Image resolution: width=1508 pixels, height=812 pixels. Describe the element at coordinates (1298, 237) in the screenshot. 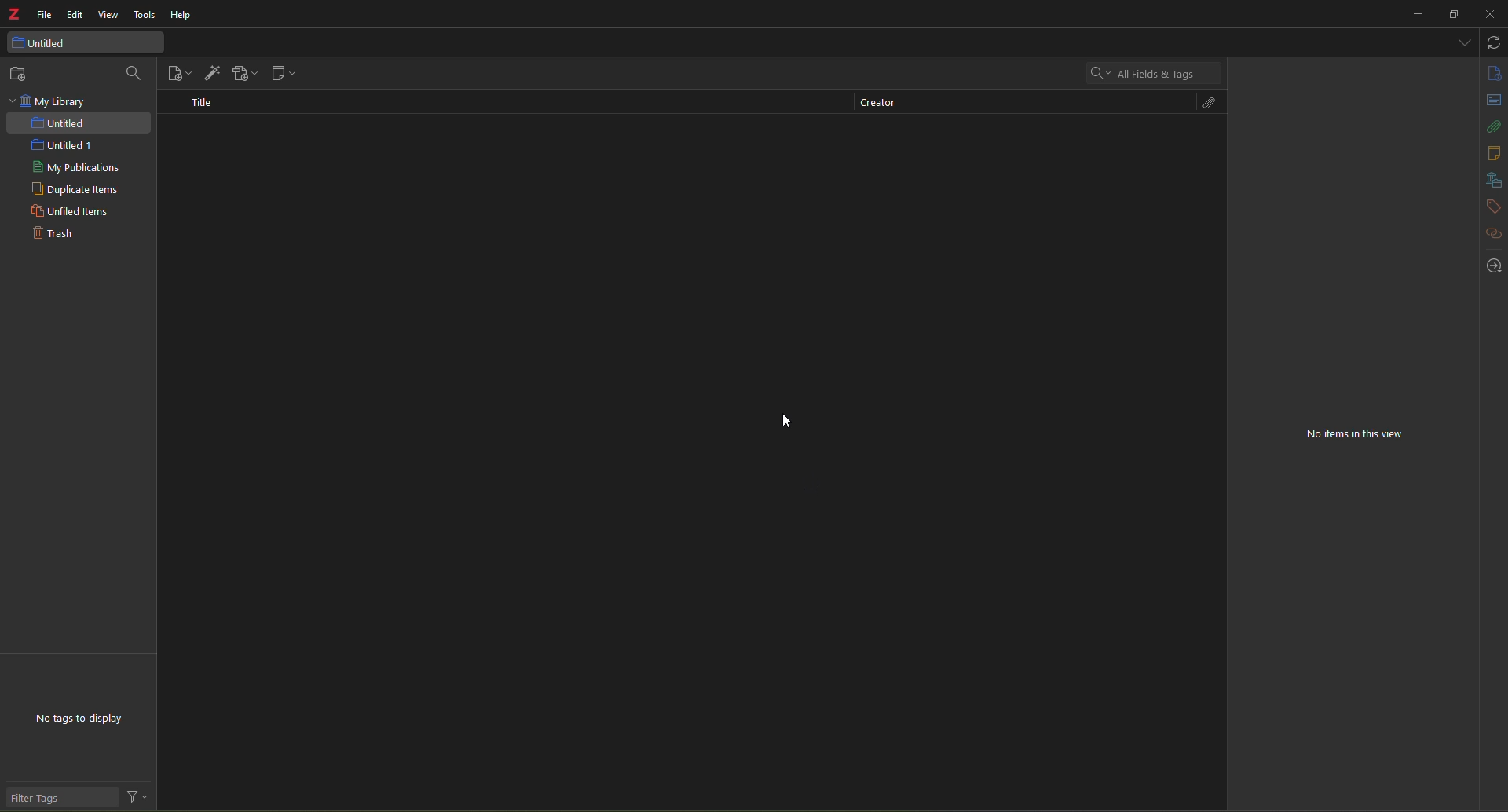

I see `library` at that location.